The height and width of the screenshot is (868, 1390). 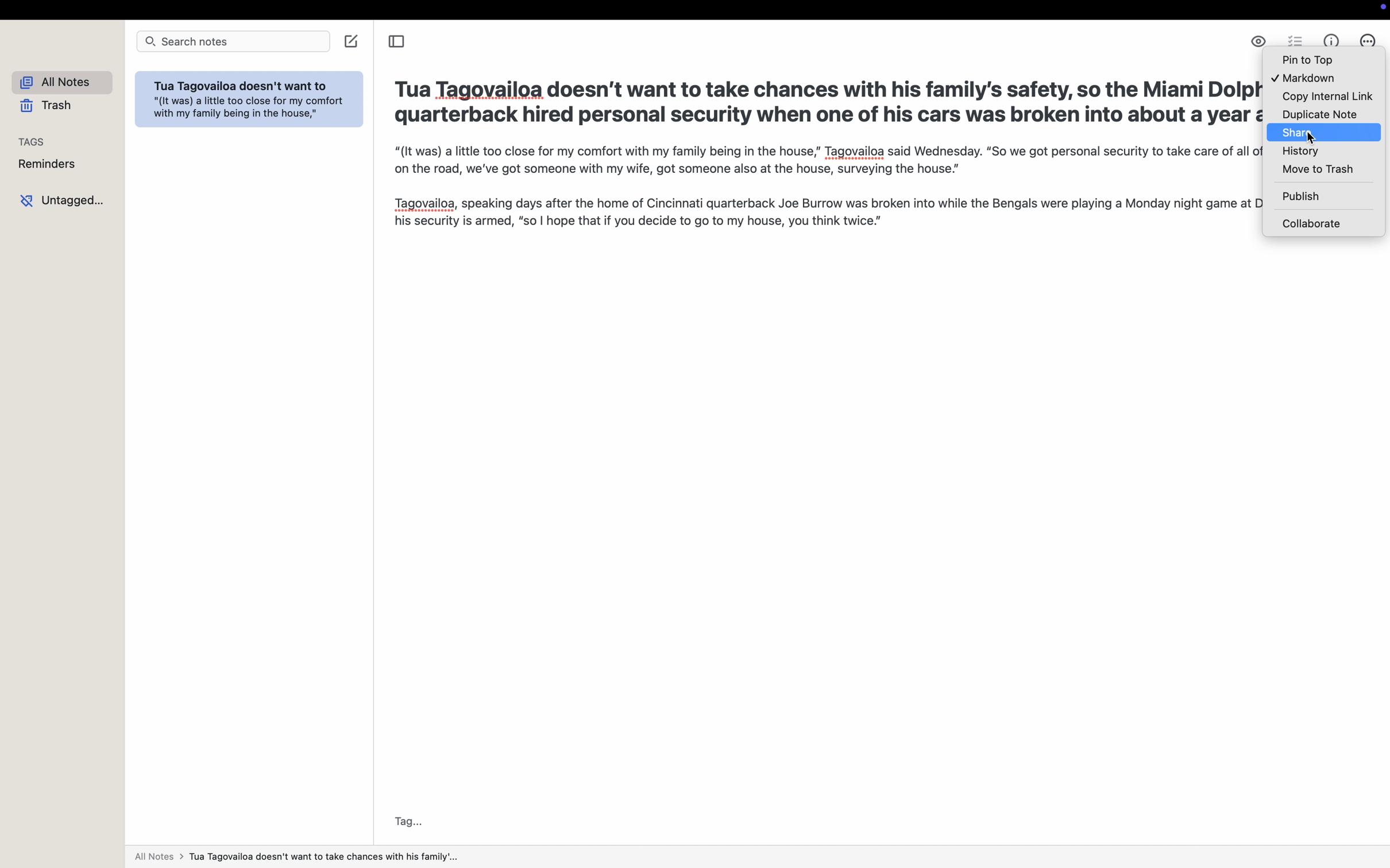 I want to click on search bar, so click(x=234, y=40).